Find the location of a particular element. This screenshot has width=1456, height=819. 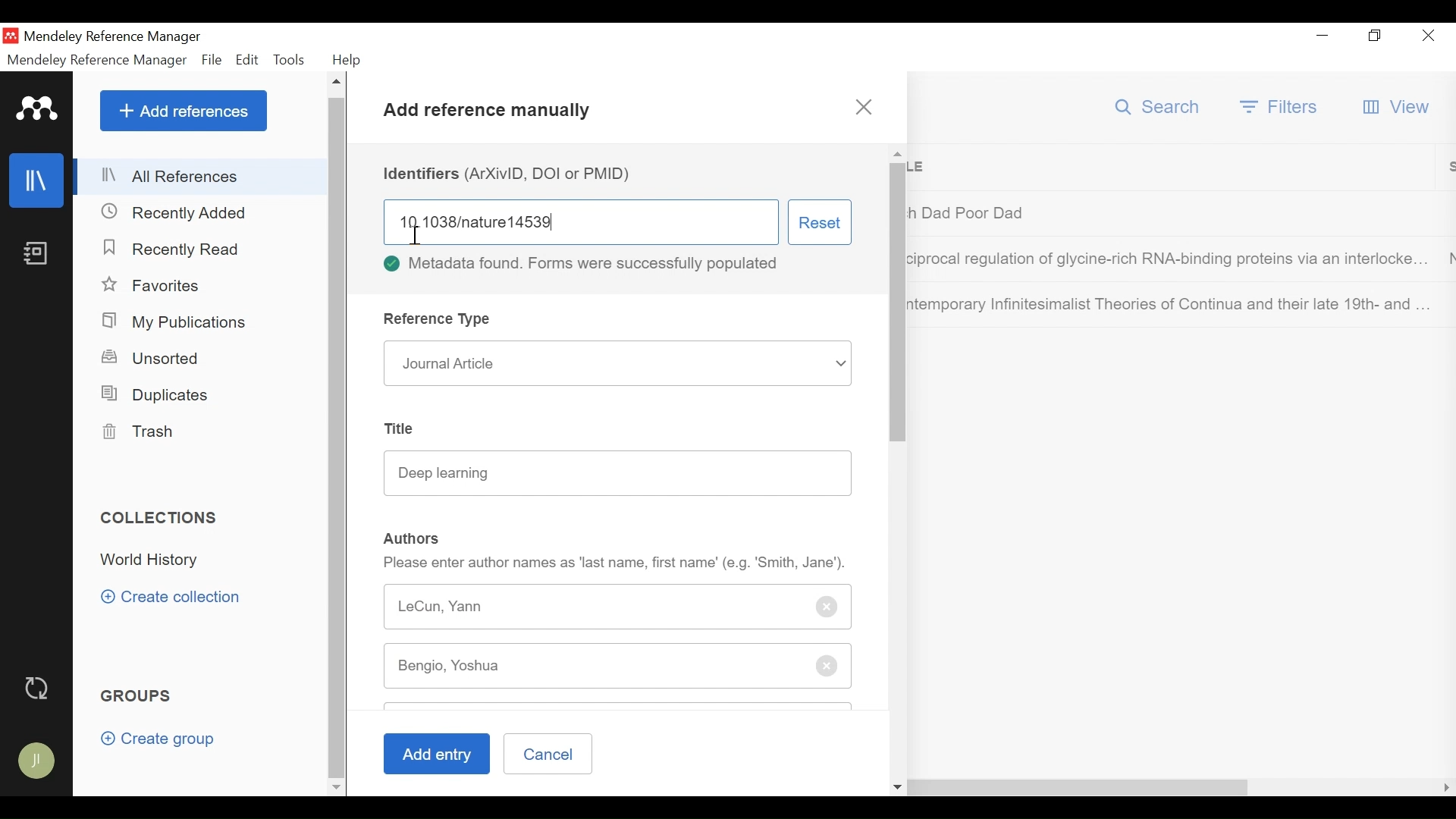

Dad Poor Dad is located at coordinates (1172, 212).